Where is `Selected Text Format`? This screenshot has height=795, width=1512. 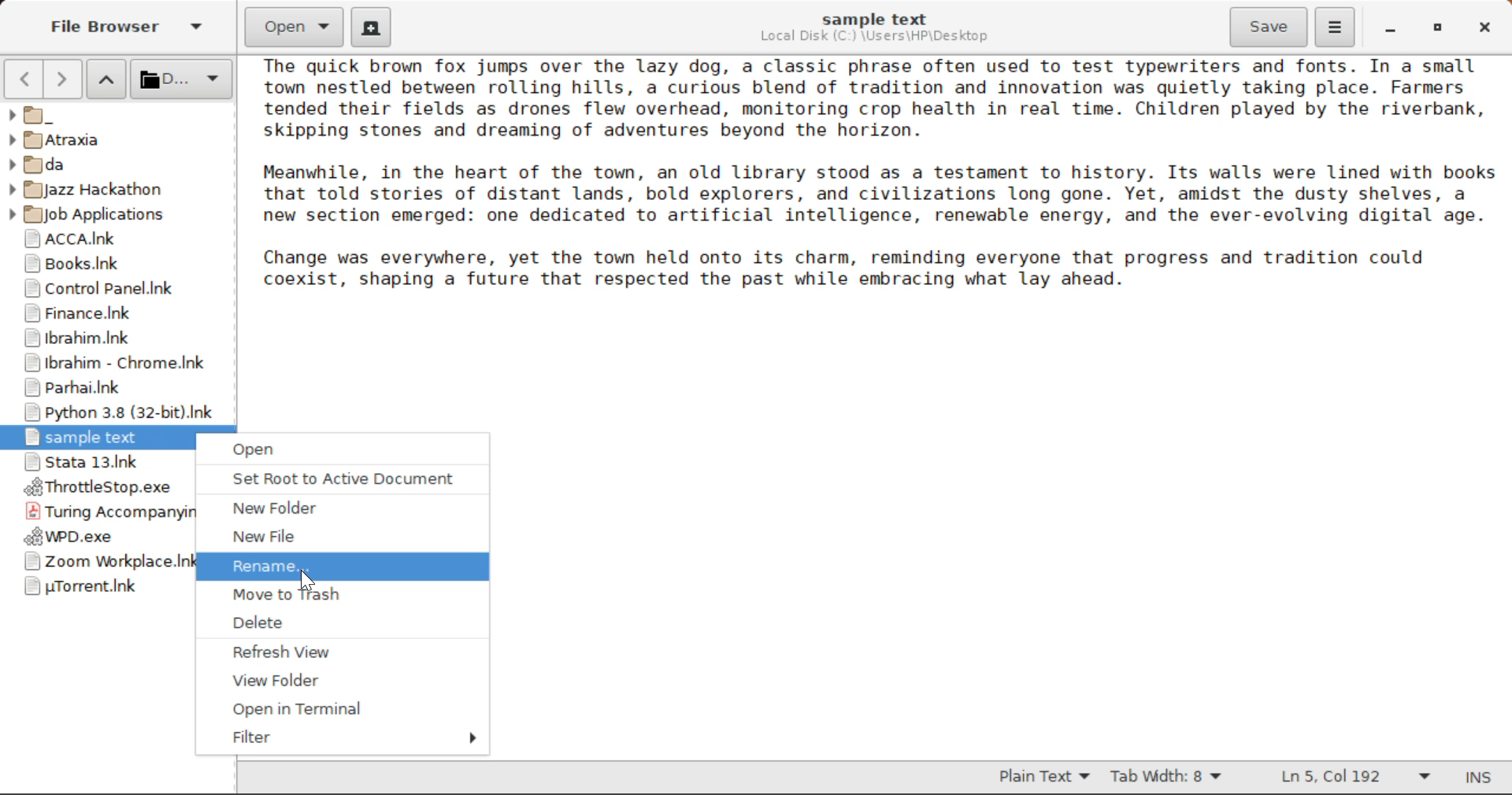 Selected Text Format is located at coordinates (1045, 776).